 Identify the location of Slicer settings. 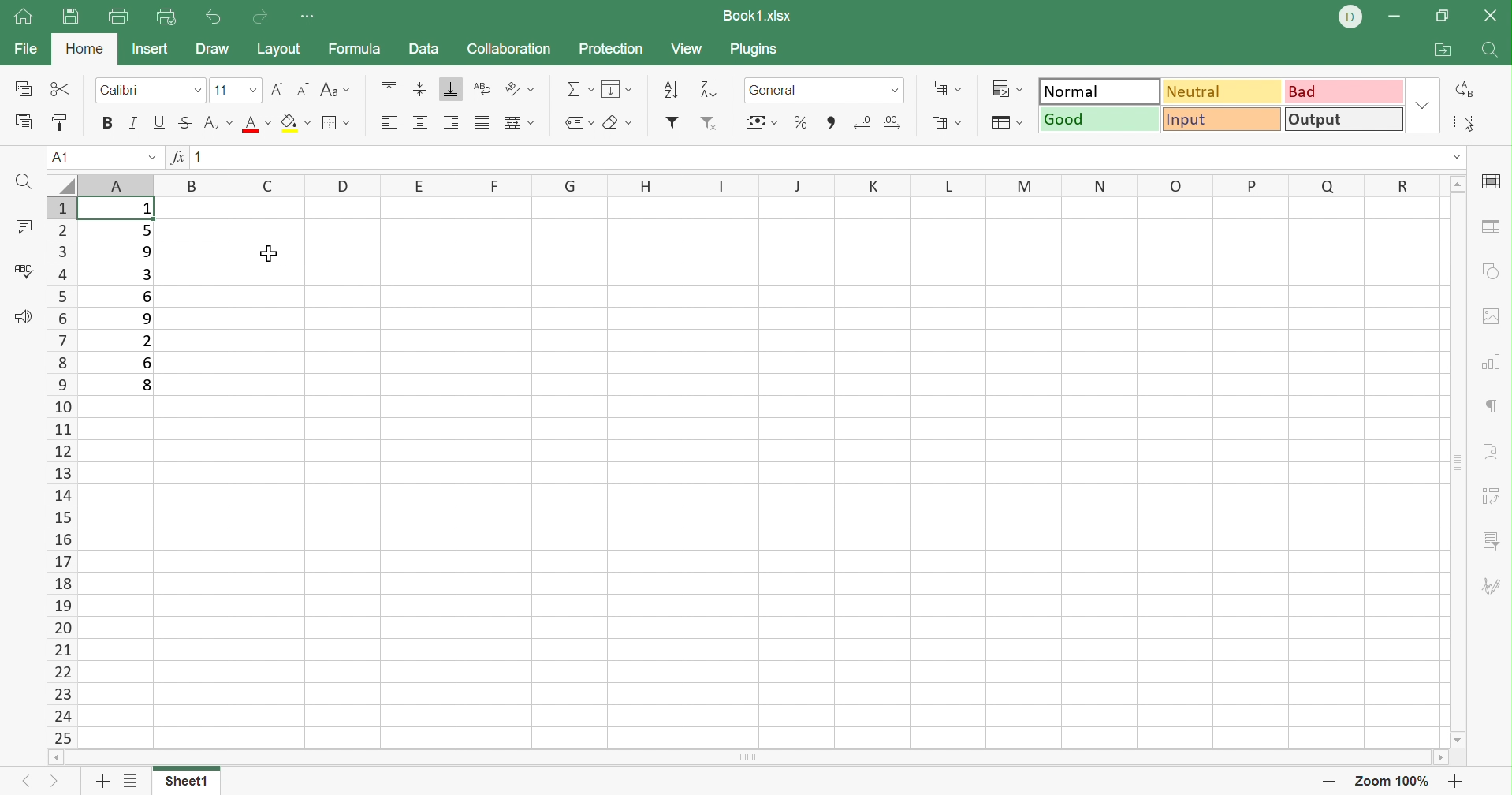
(1495, 494).